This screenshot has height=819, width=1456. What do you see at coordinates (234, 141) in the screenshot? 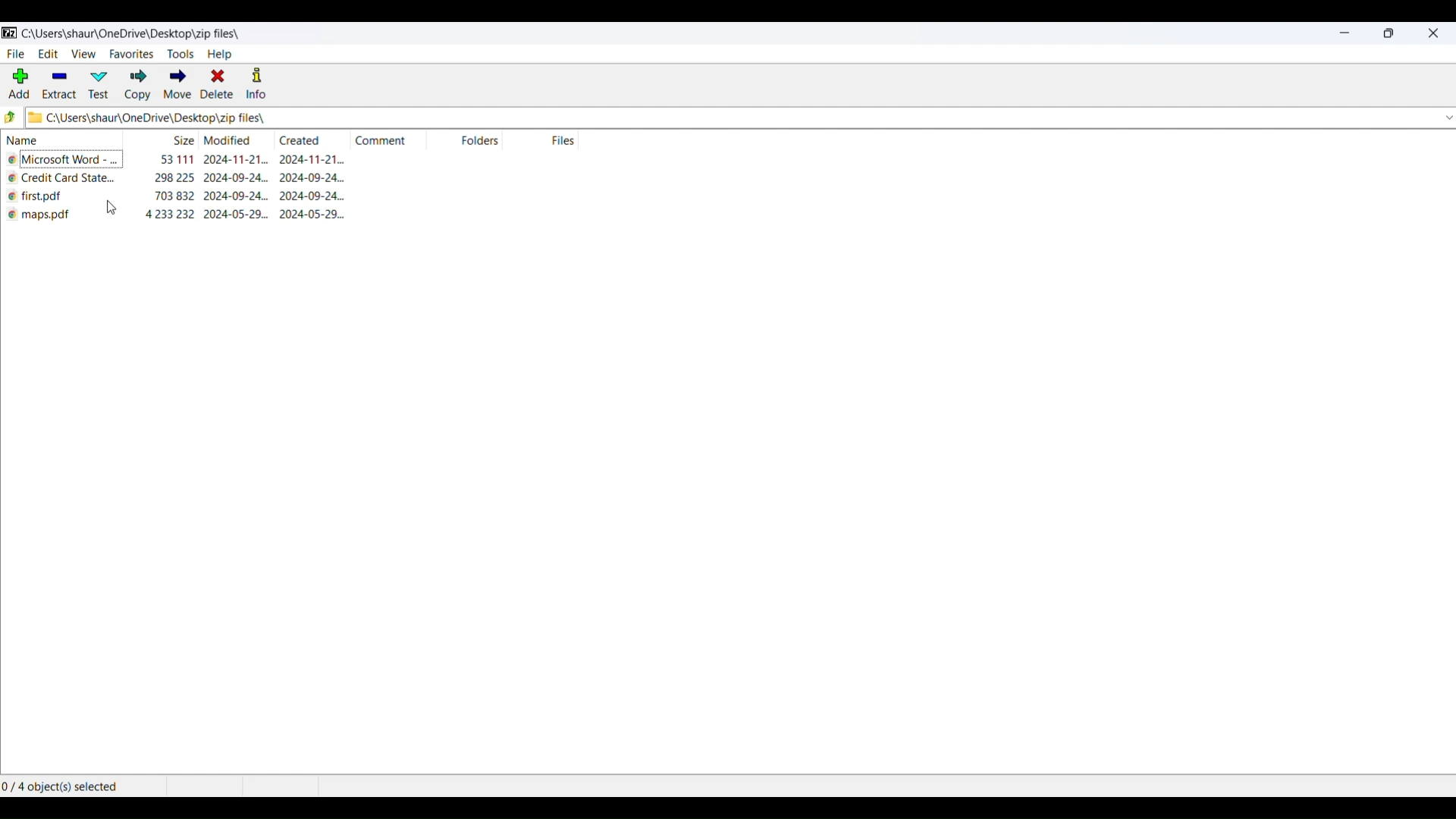
I see `` at bounding box center [234, 141].